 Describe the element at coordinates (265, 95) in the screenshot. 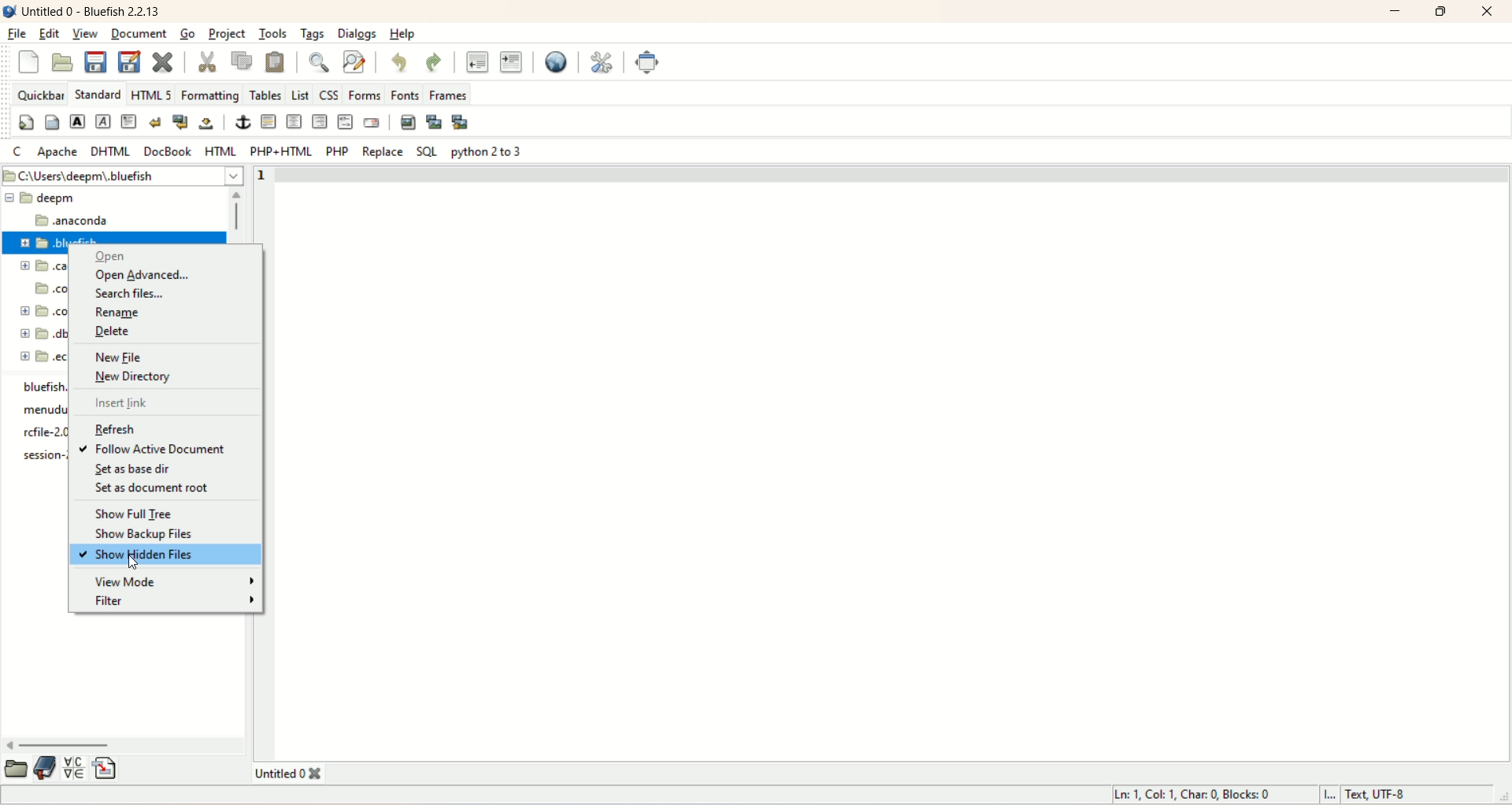

I see `tables` at that location.